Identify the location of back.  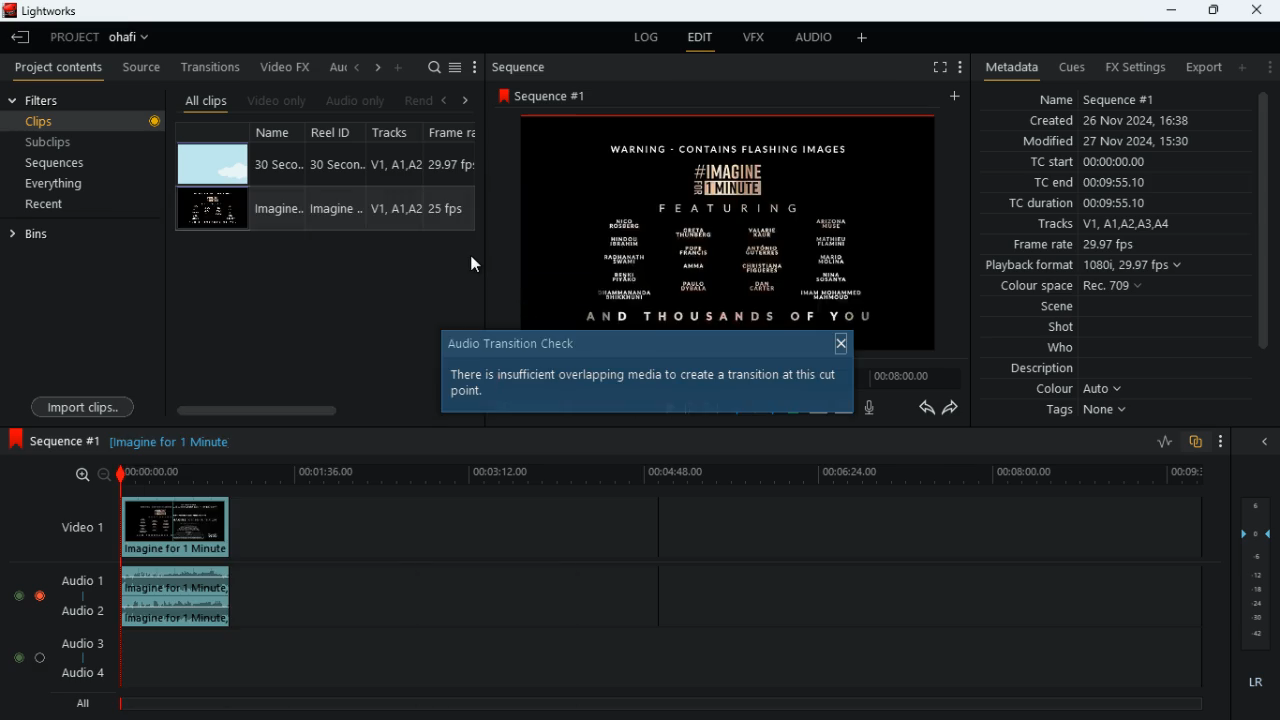
(443, 101).